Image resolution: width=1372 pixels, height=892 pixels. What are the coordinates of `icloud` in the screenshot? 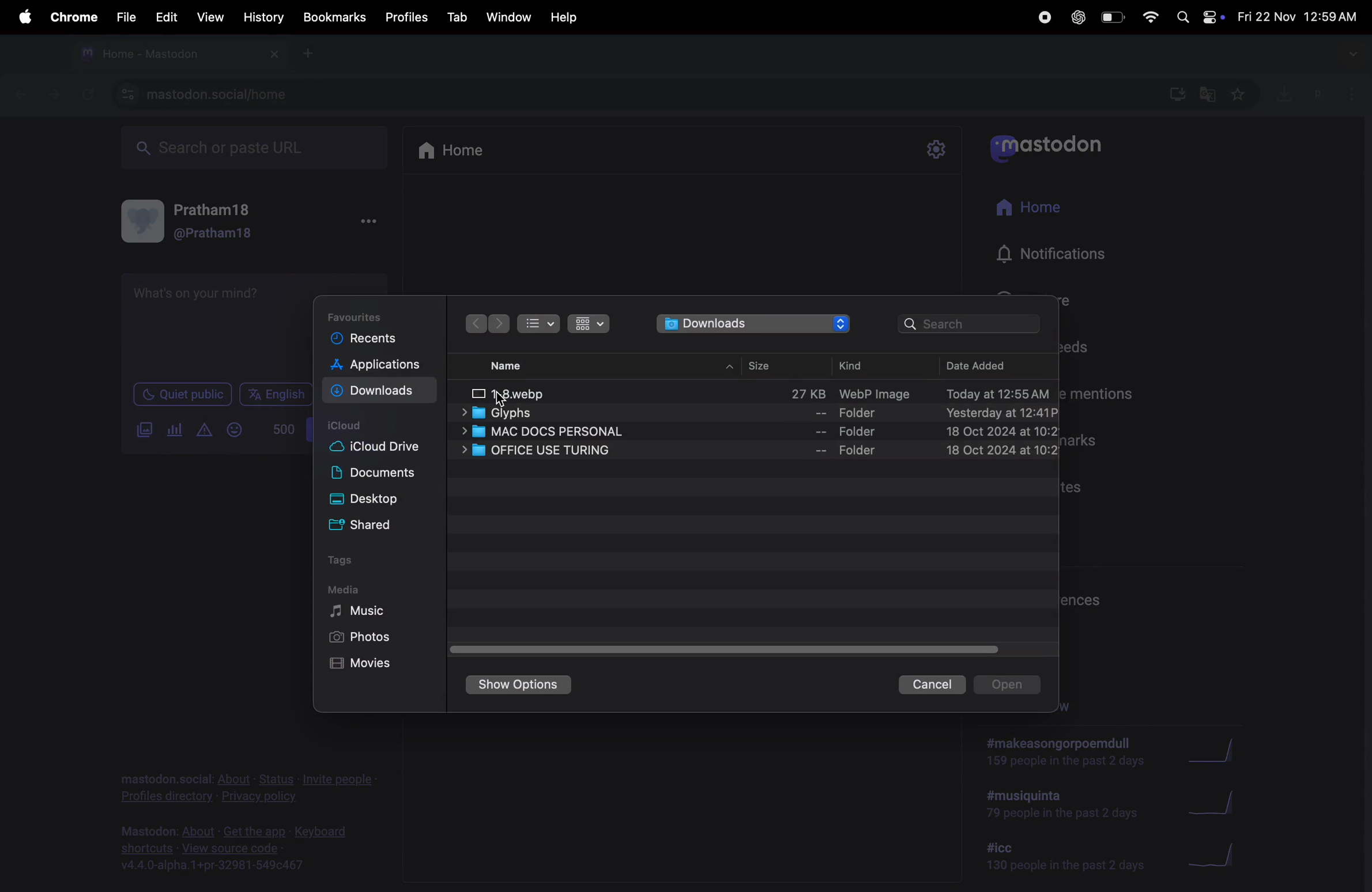 It's located at (345, 427).